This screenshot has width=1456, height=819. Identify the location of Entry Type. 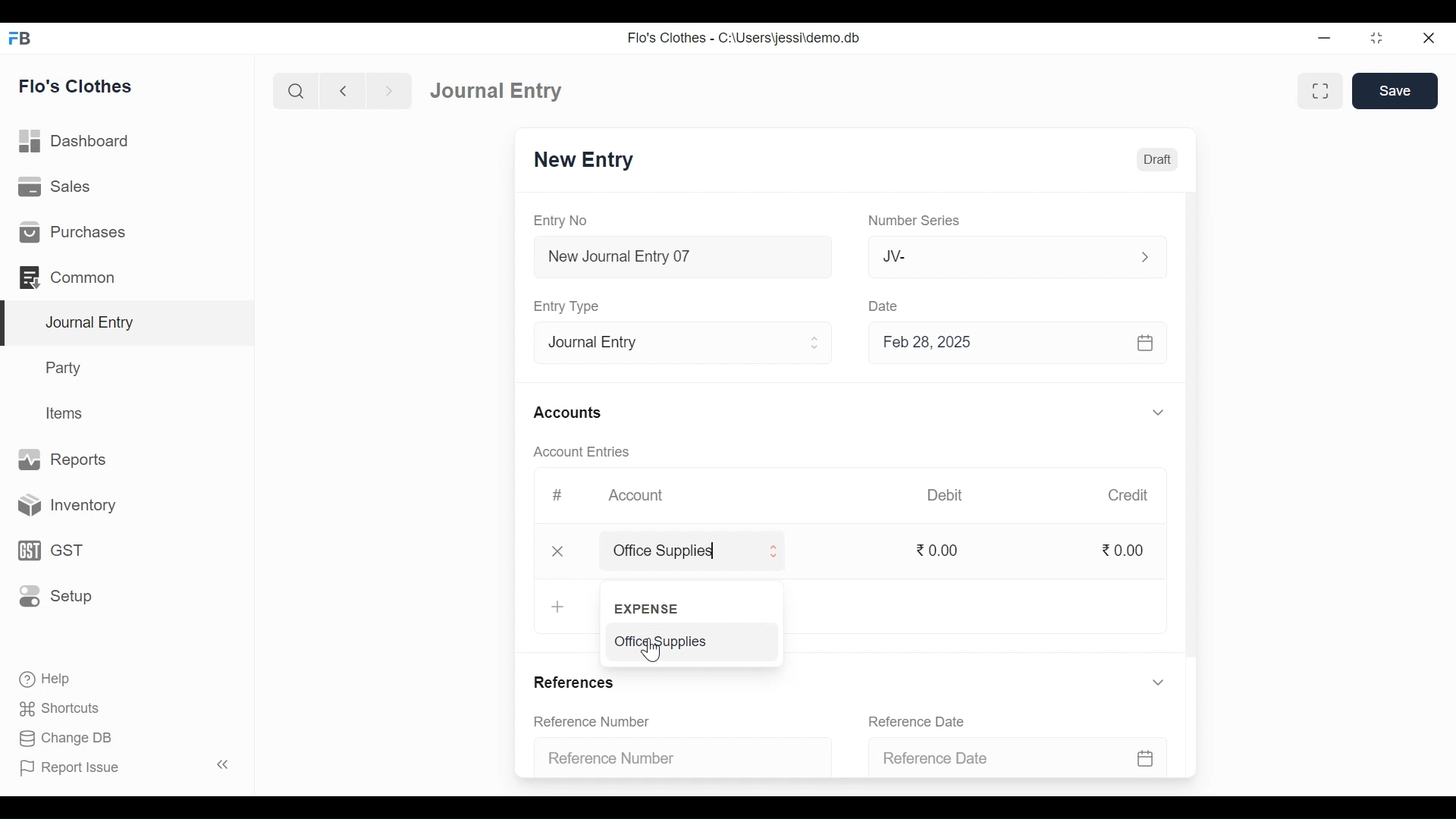
(670, 344).